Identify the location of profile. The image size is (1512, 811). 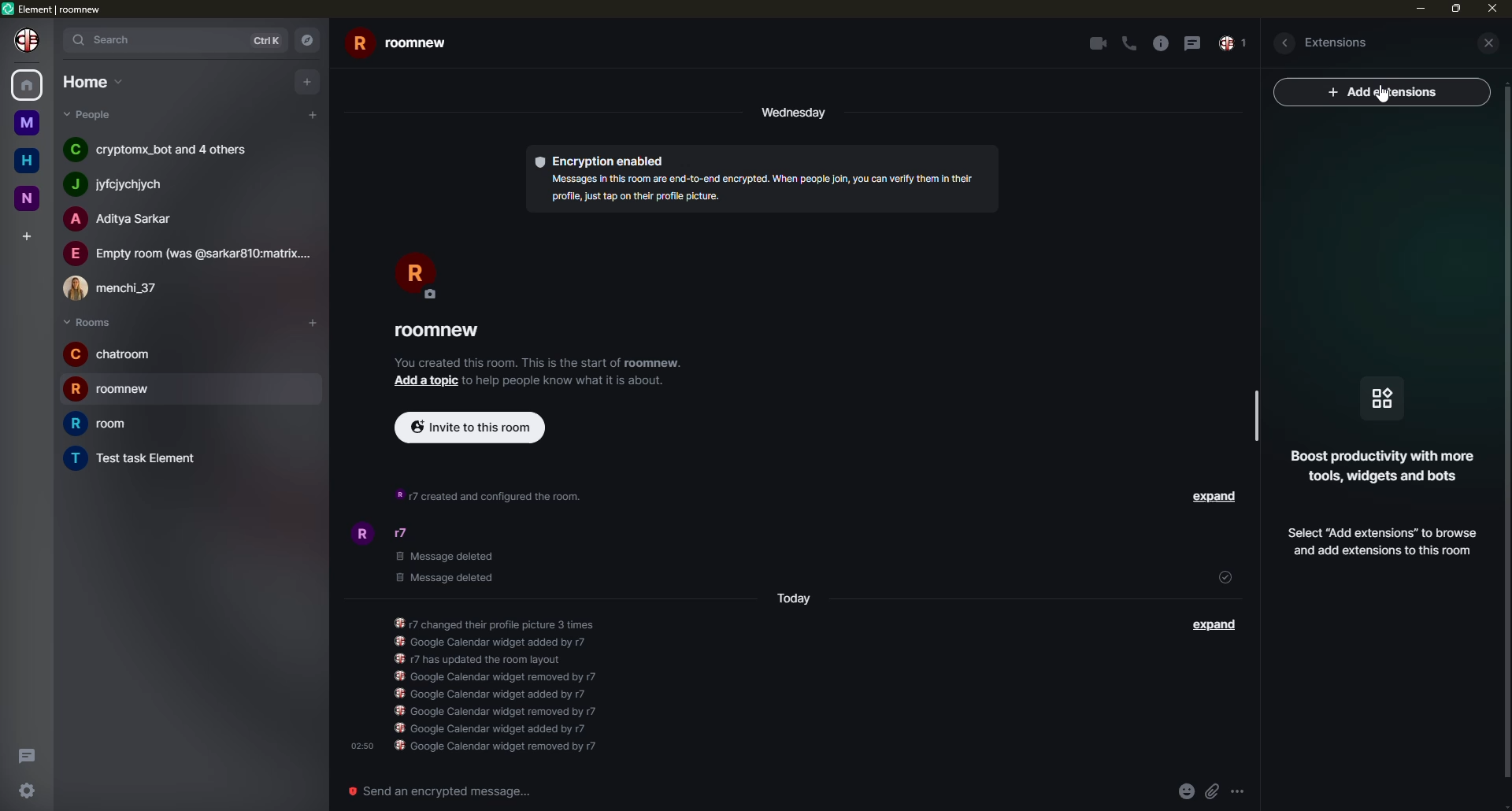
(28, 41).